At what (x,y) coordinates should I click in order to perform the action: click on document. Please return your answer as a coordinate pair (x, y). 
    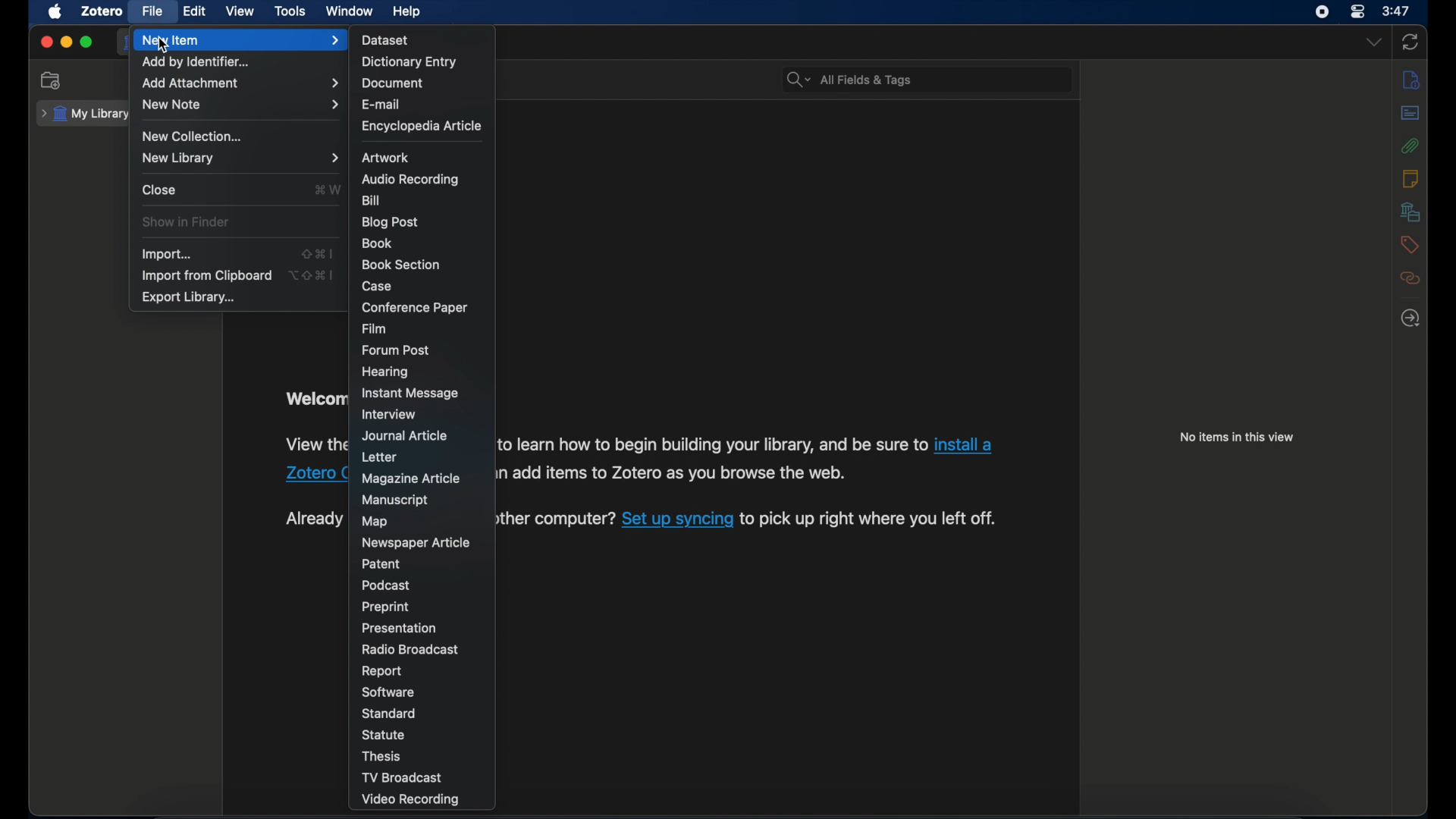
    Looking at the image, I should click on (391, 84).